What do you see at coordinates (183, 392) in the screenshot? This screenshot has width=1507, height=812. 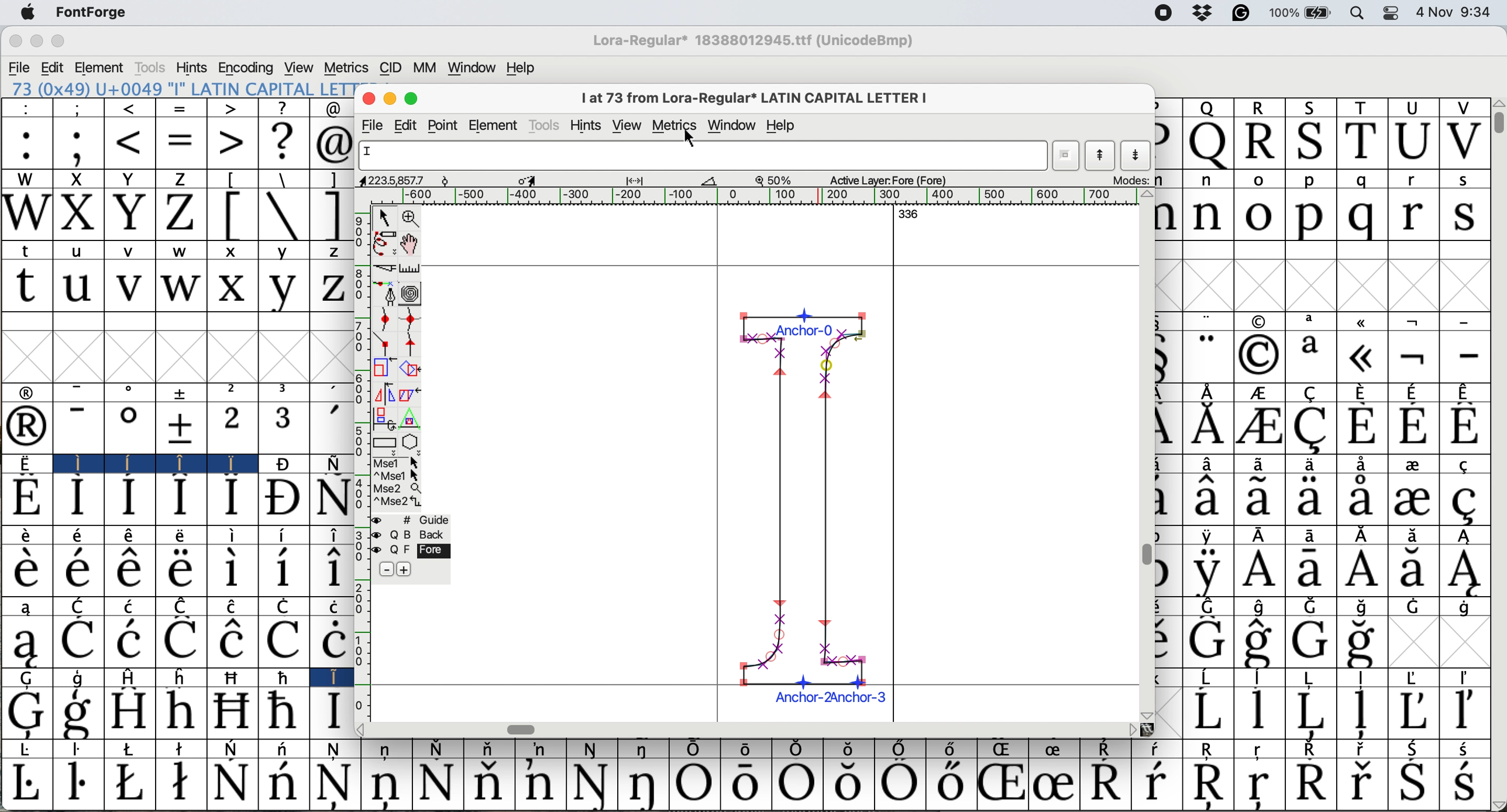 I see `symbol` at bounding box center [183, 392].